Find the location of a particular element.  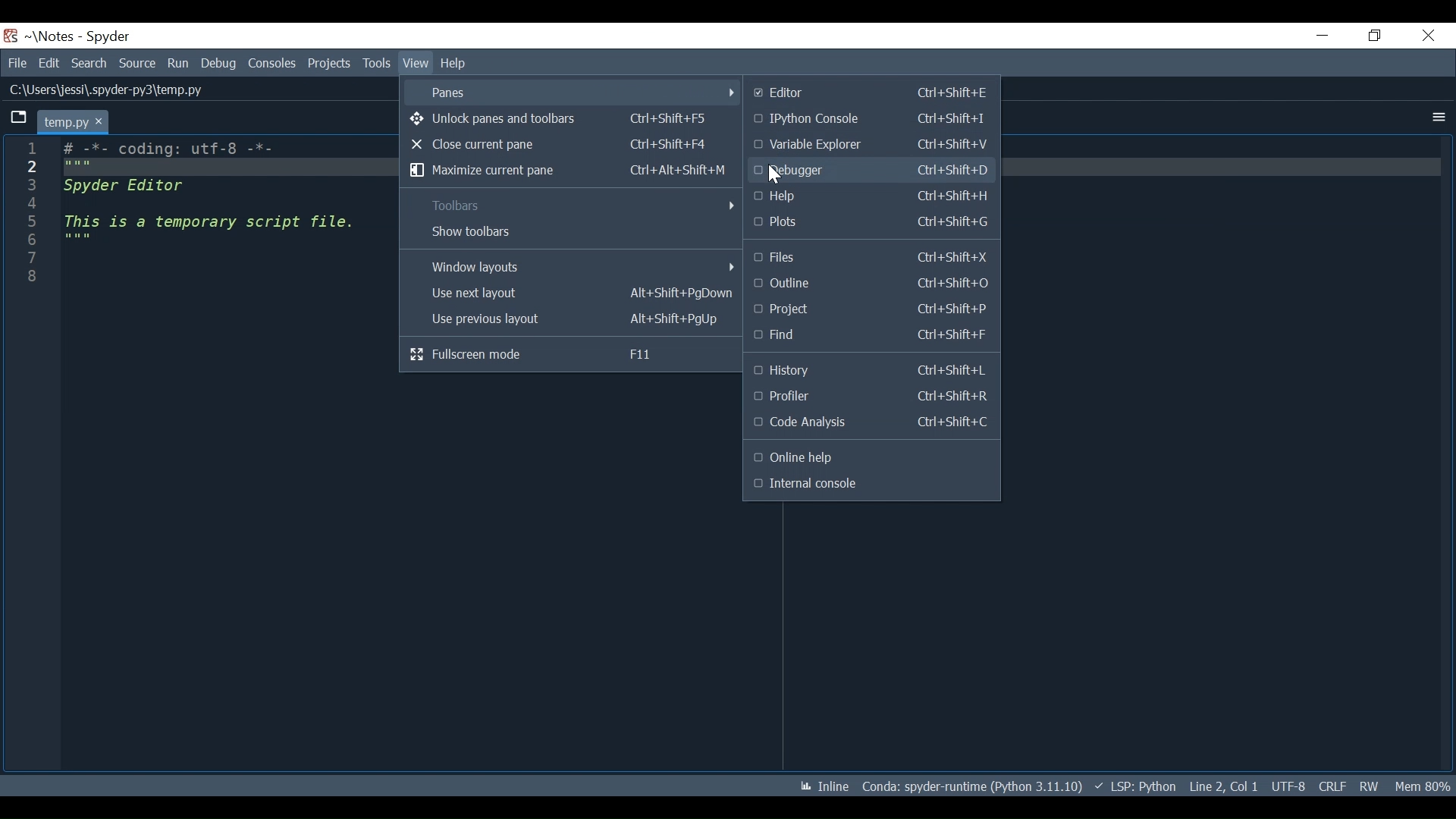

Browse tab is located at coordinates (18, 119).